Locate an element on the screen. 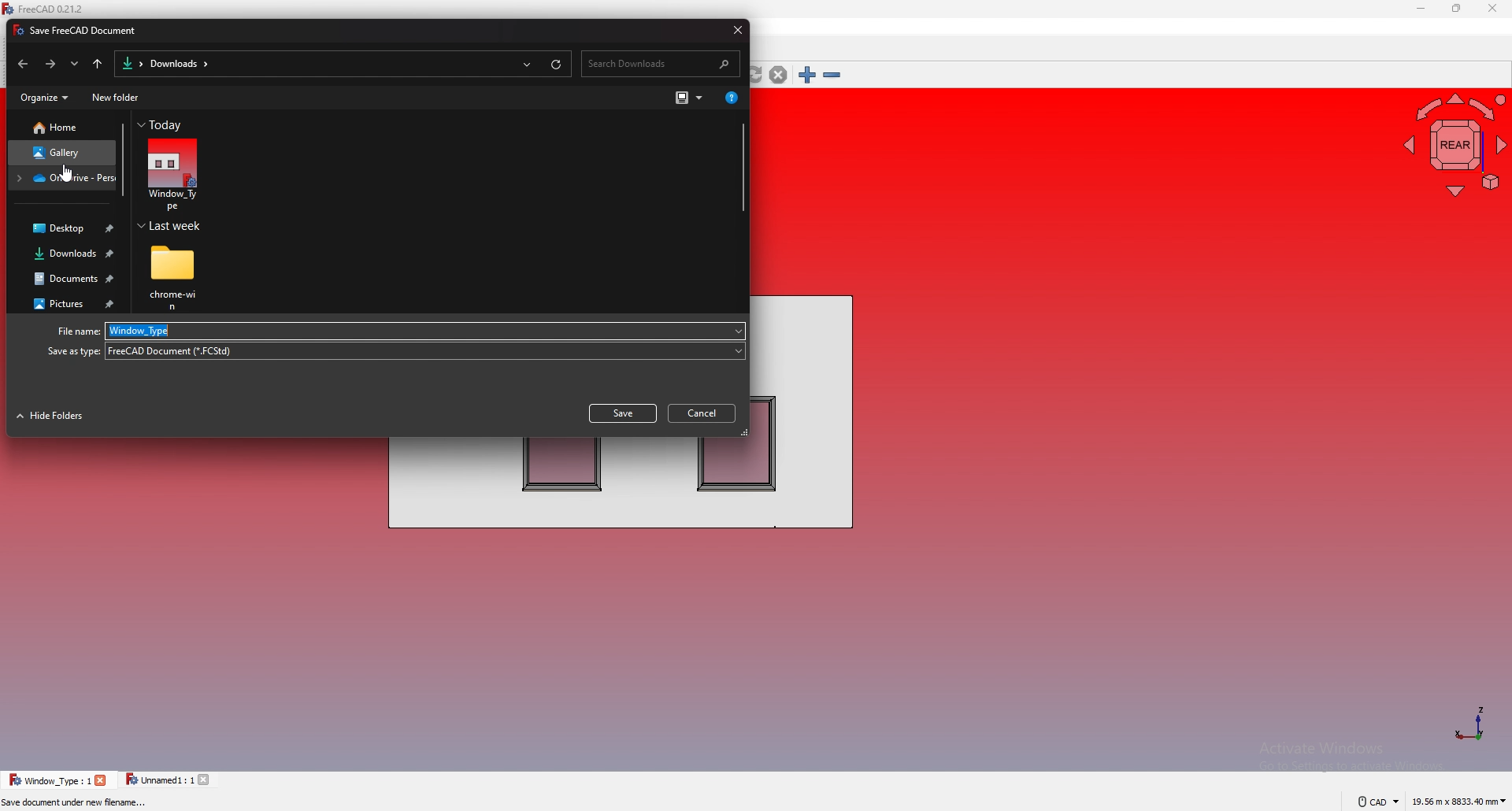 This screenshot has width=1512, height=811. forward is located at coordinates (50, 65).